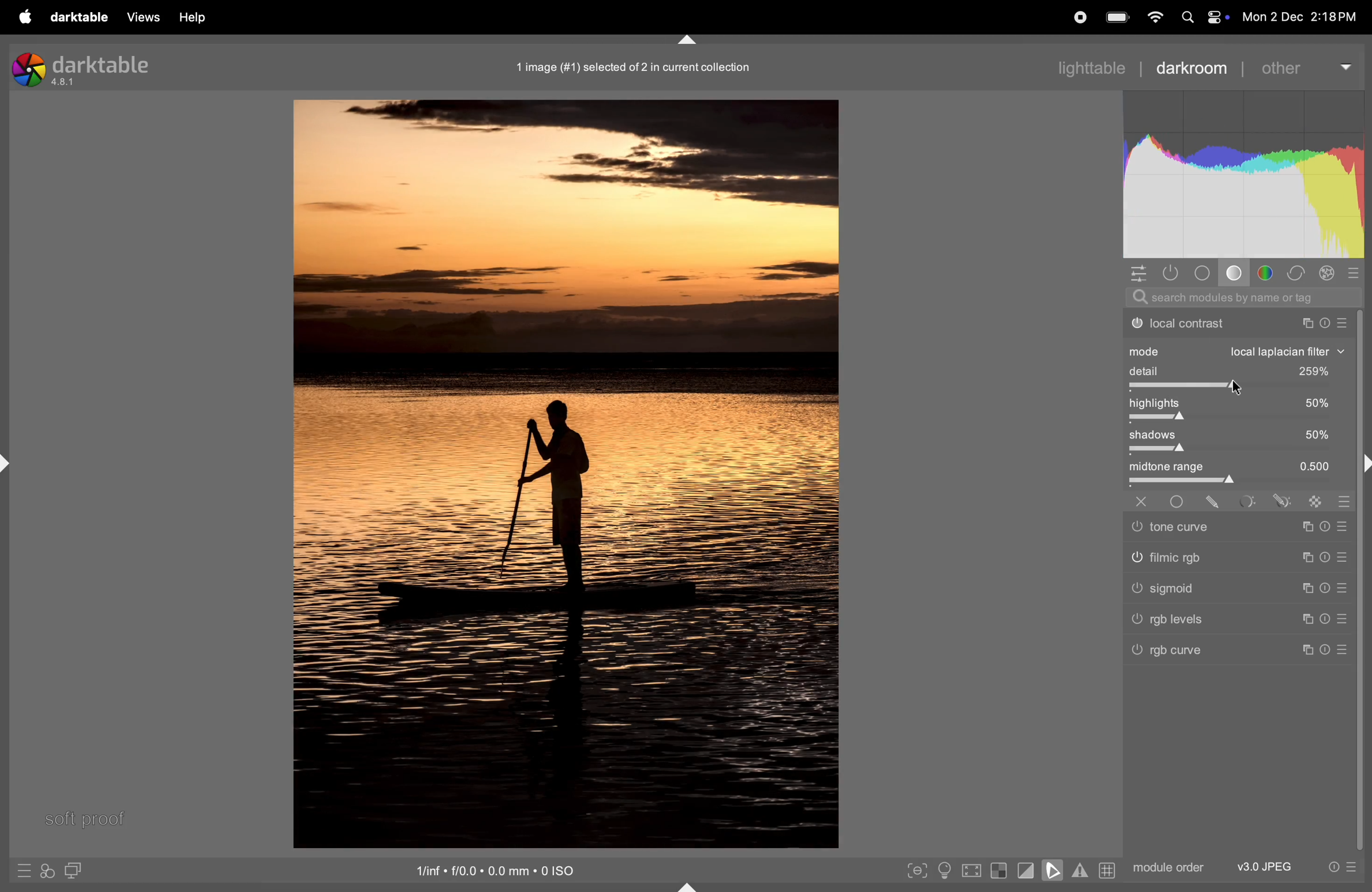  Describe the element at coordinates (1203, 17) in the screenshot. I see `apple widgets` at that location.